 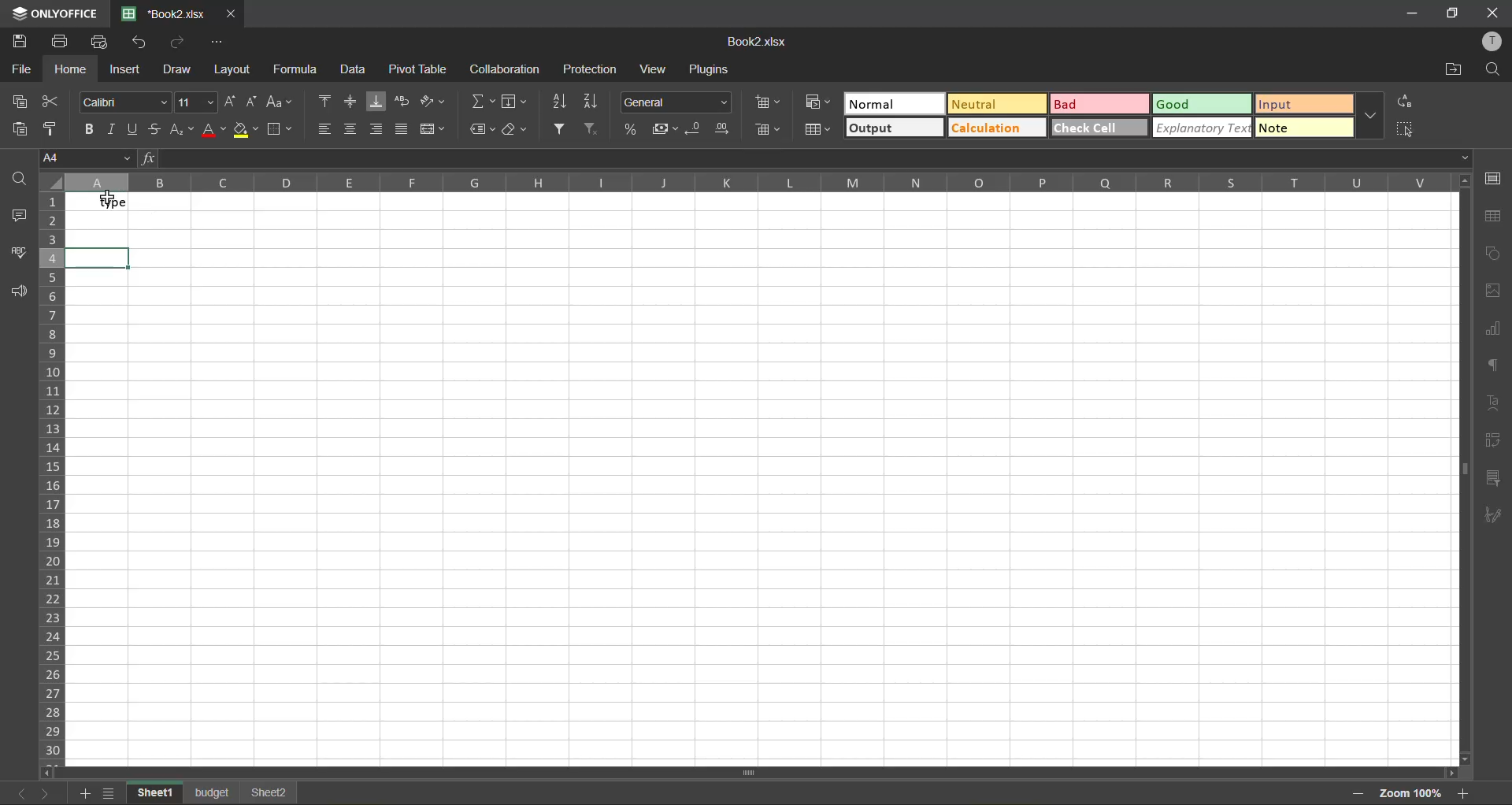 What do you see at coordinates (1492, 518) in the screenshot?
I see `paragraph` at bounding box center [1492, 518].